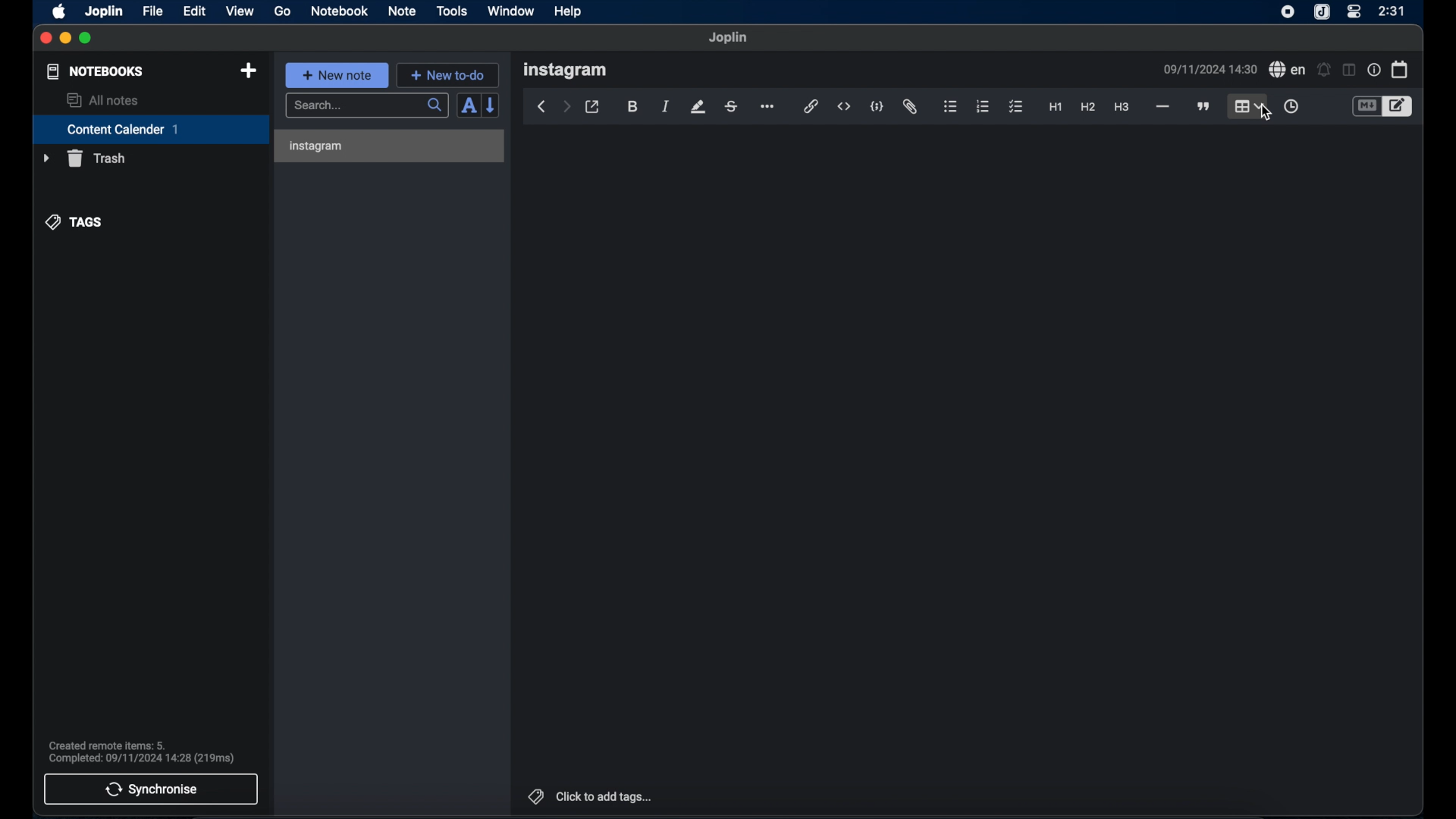 The height and width of the screenshot is (819, 1456). What do you see at coordinates (1292, 107) in the screenshot?
I see `insert time` at bounding box center [1292, 107].